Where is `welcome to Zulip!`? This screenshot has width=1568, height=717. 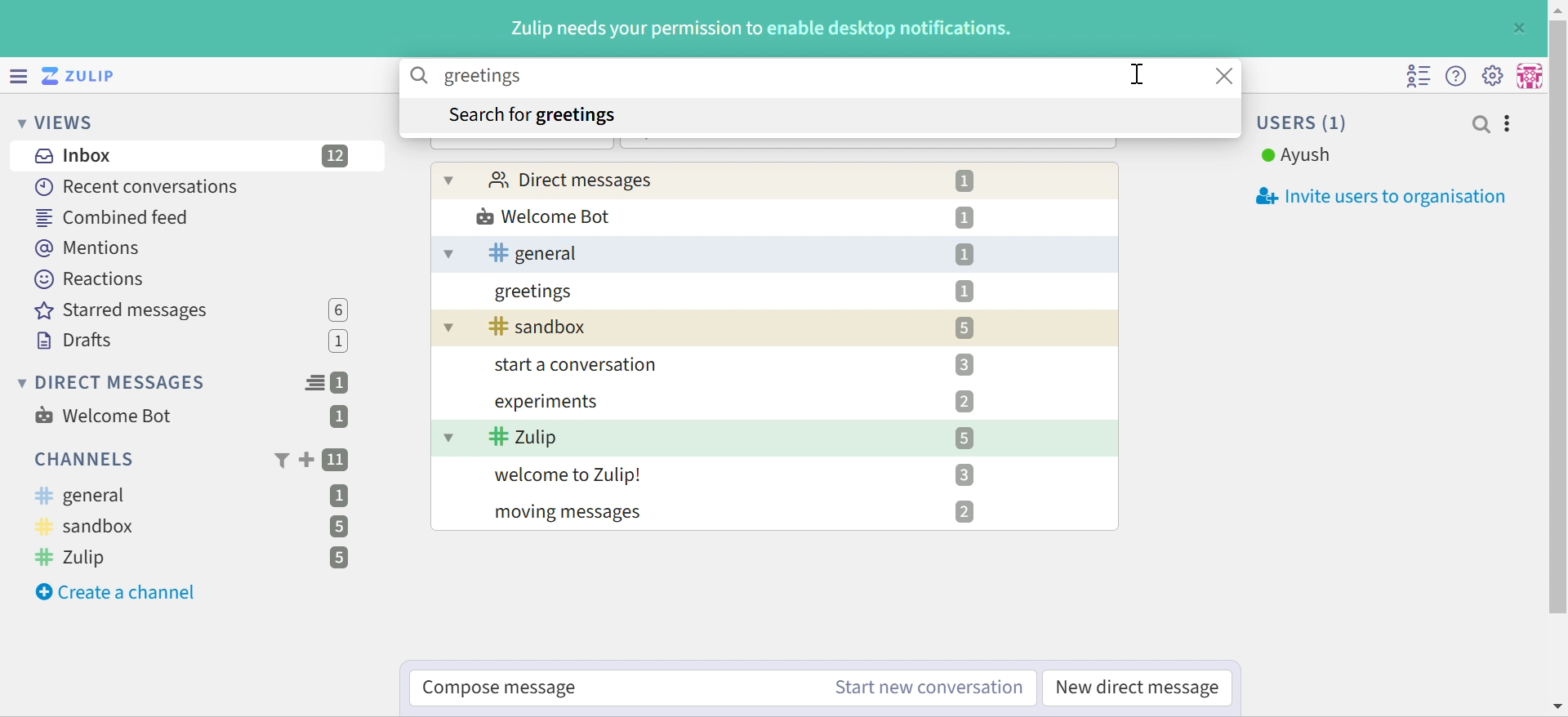 welcome to Zulip! is located at coordinates (571, 475).